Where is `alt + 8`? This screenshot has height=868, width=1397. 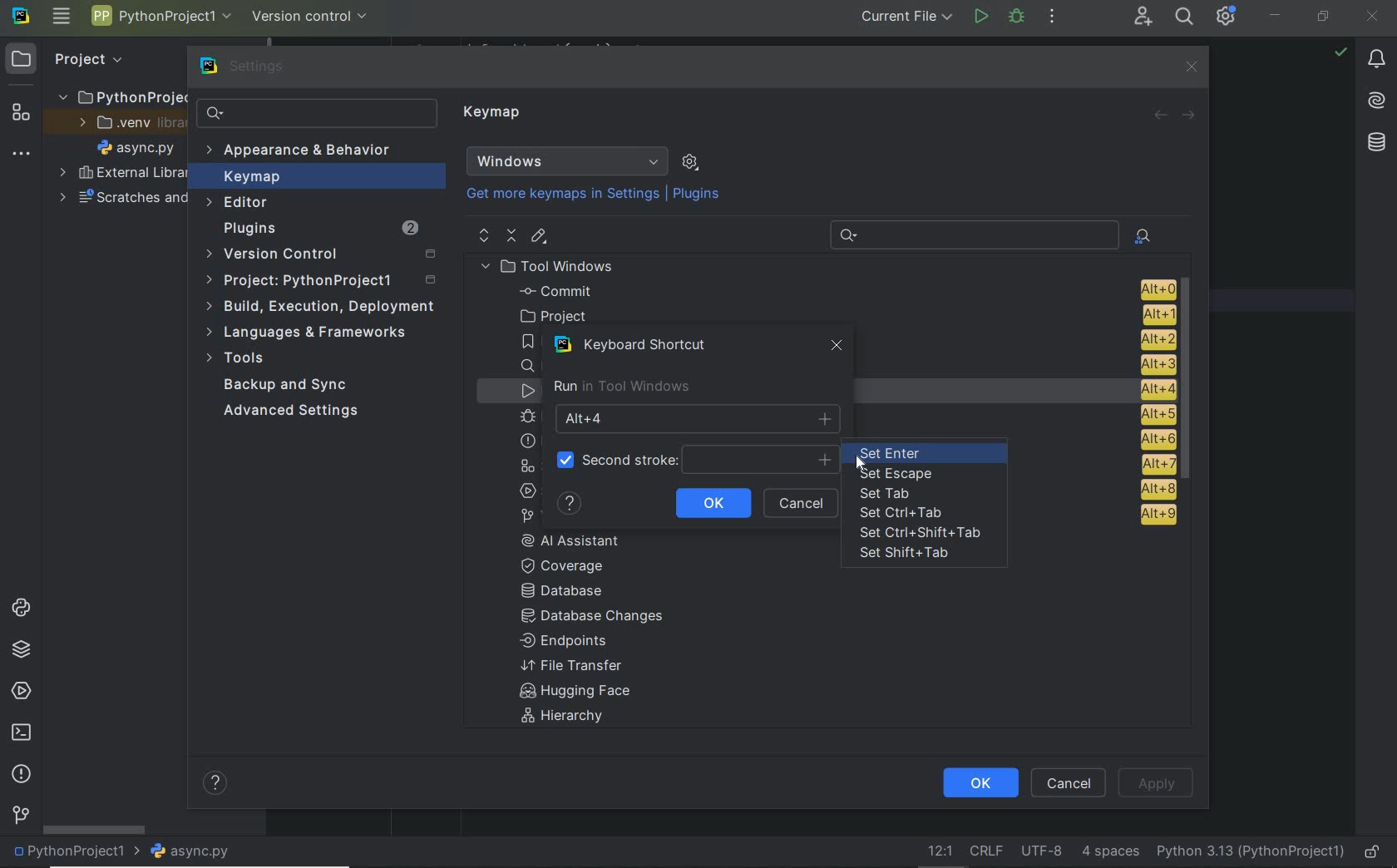
alt + 8 is located at coordinates (1157, 489).